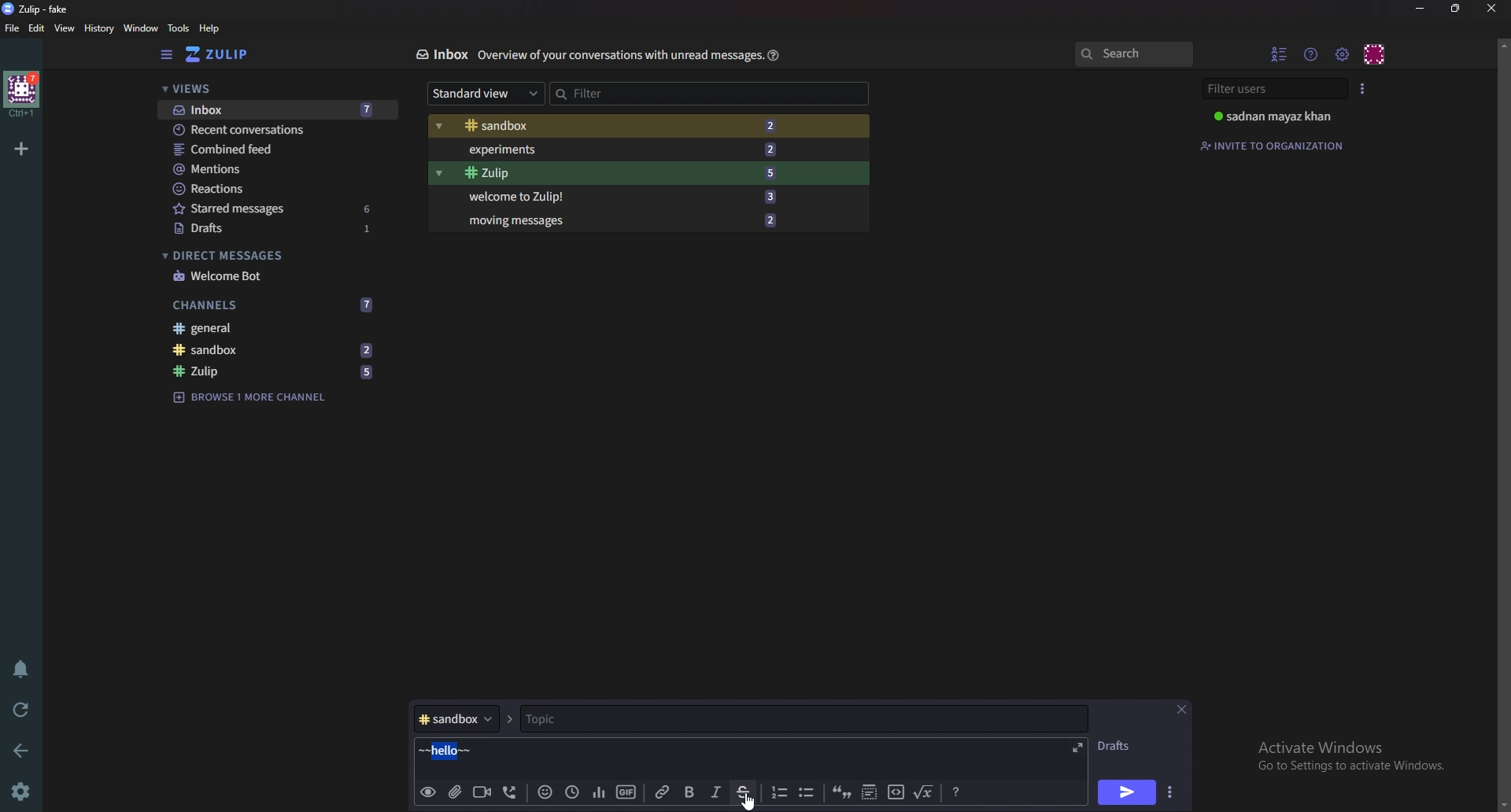 Image resolution: width=1511 pixels, height=812 pixels. What do you see at coordinates (21, 148) in the screenshot?
I see `Add organization` at bounding box center [21, 148].